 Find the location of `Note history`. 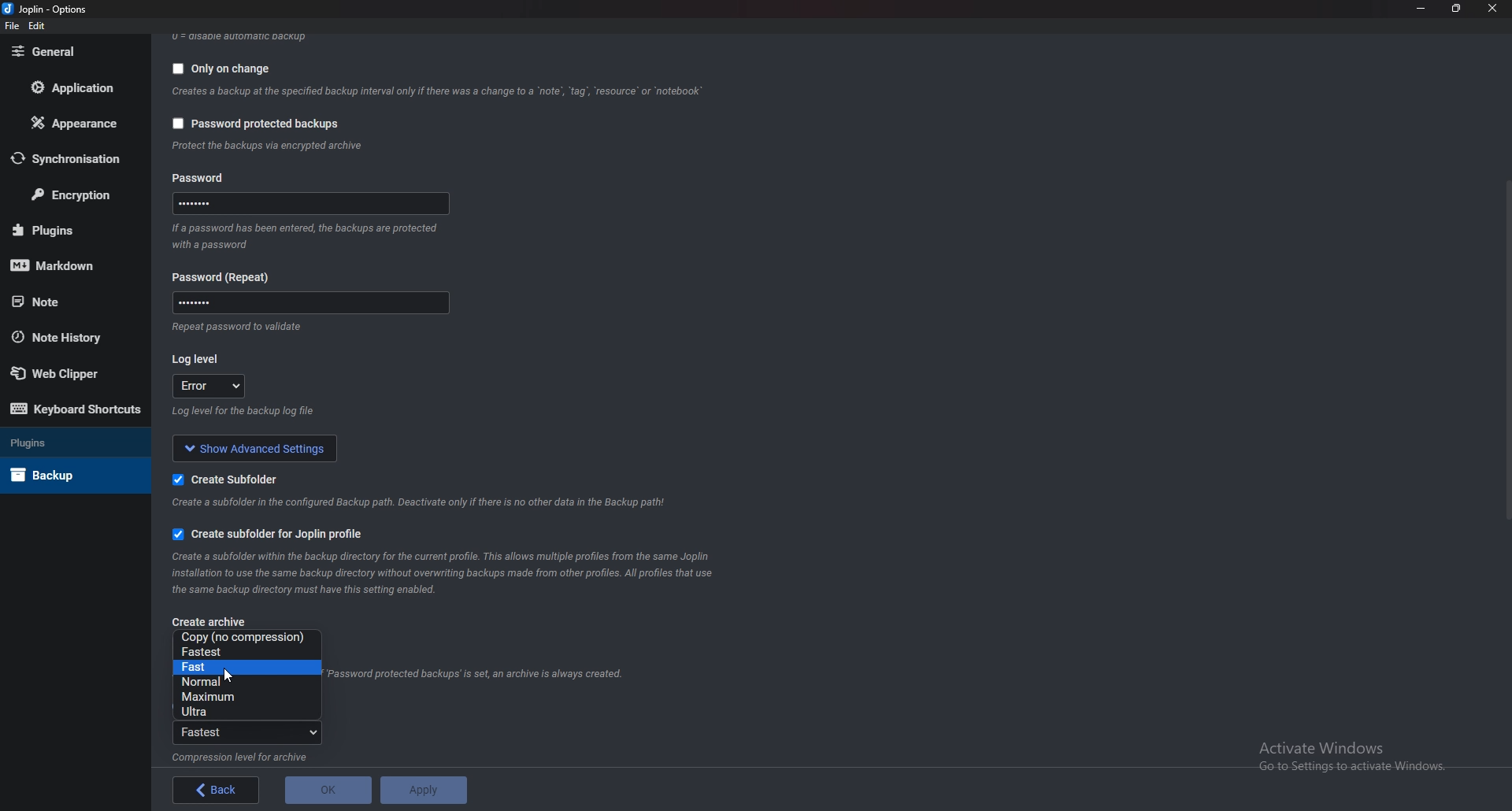

Note history is located at coordinates (64, 336).